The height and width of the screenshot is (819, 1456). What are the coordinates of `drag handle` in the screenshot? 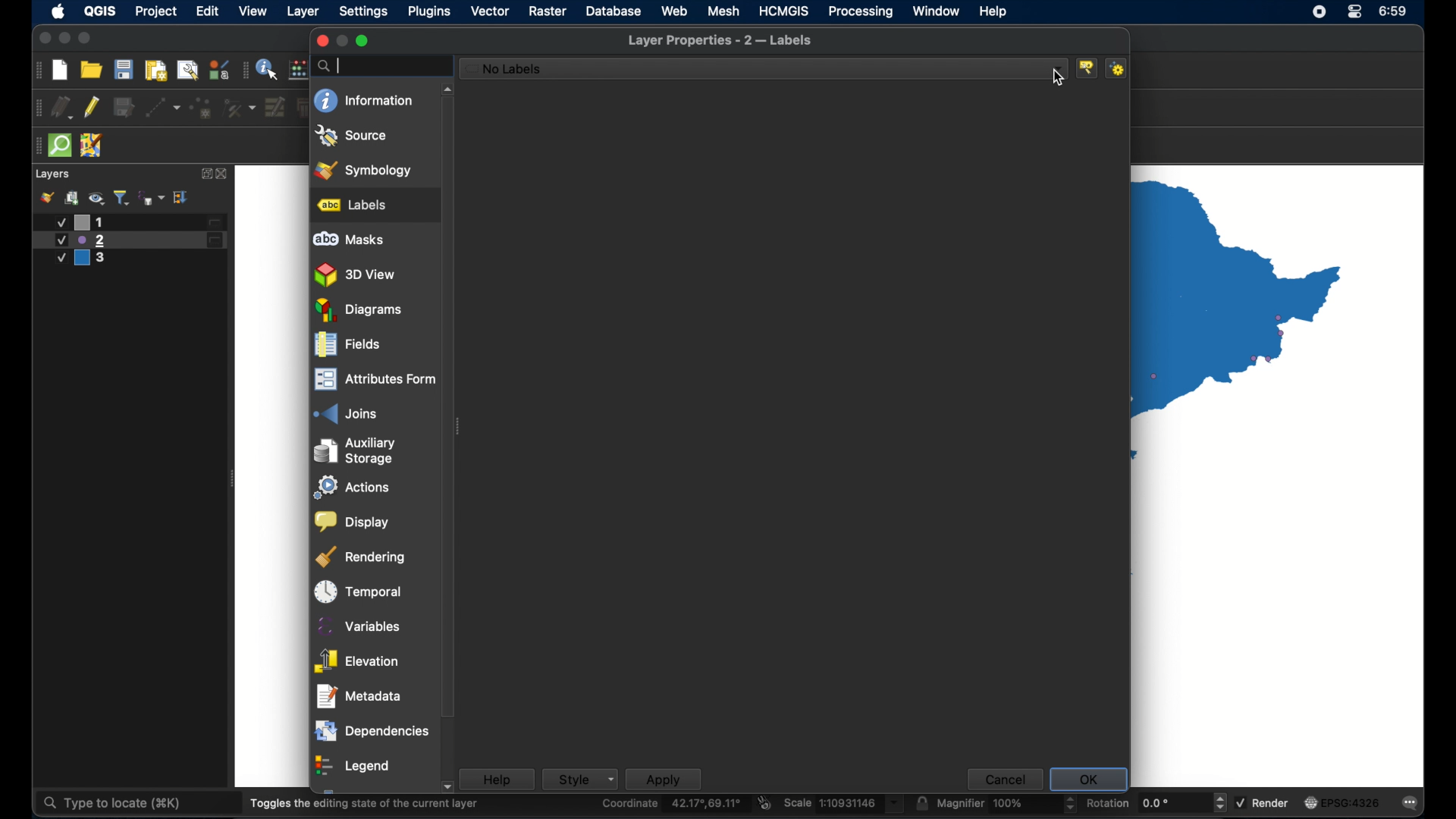 It's located at (36, 146).